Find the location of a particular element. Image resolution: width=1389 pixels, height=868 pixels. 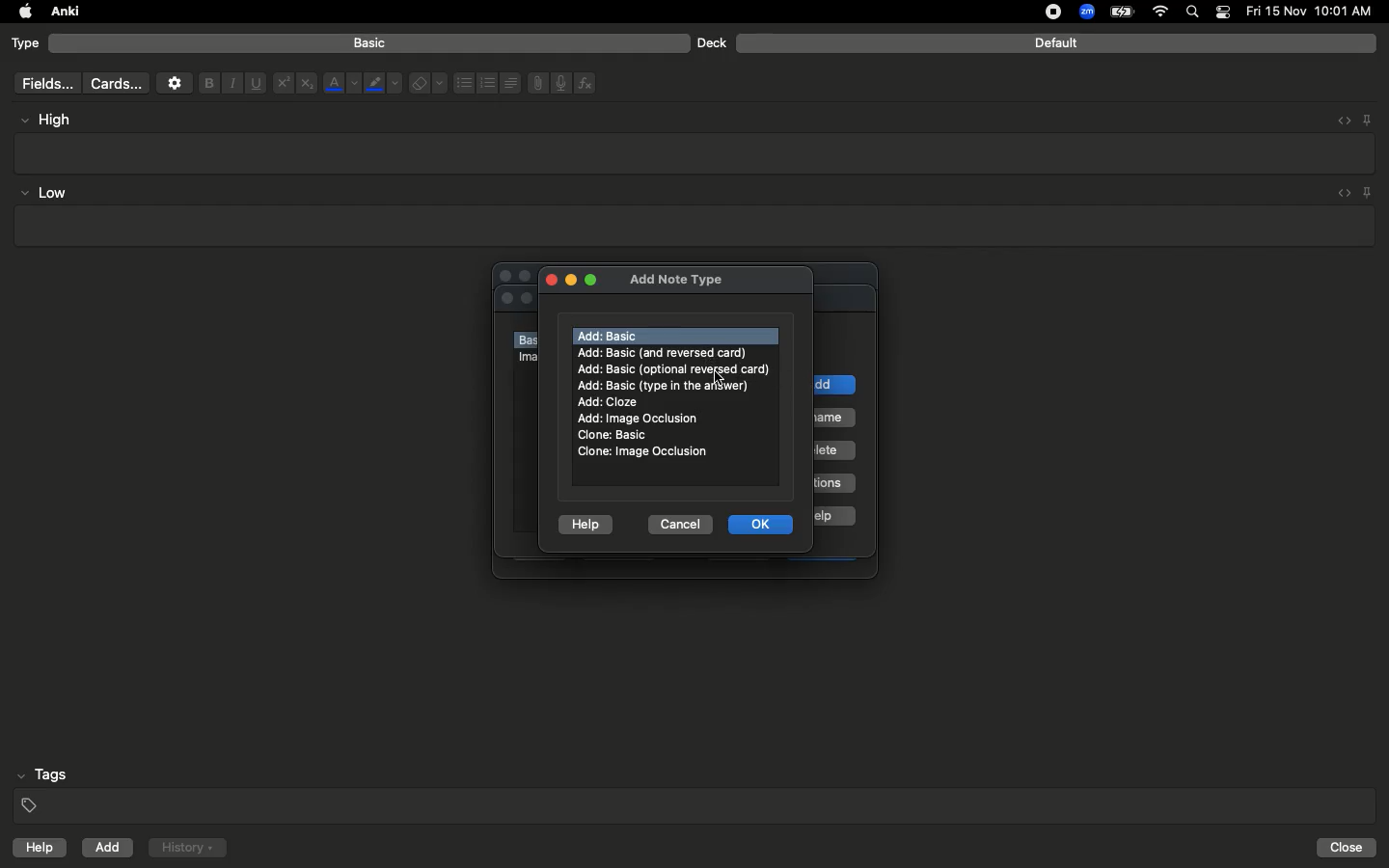

Default is located at coordinates (1056, 43).